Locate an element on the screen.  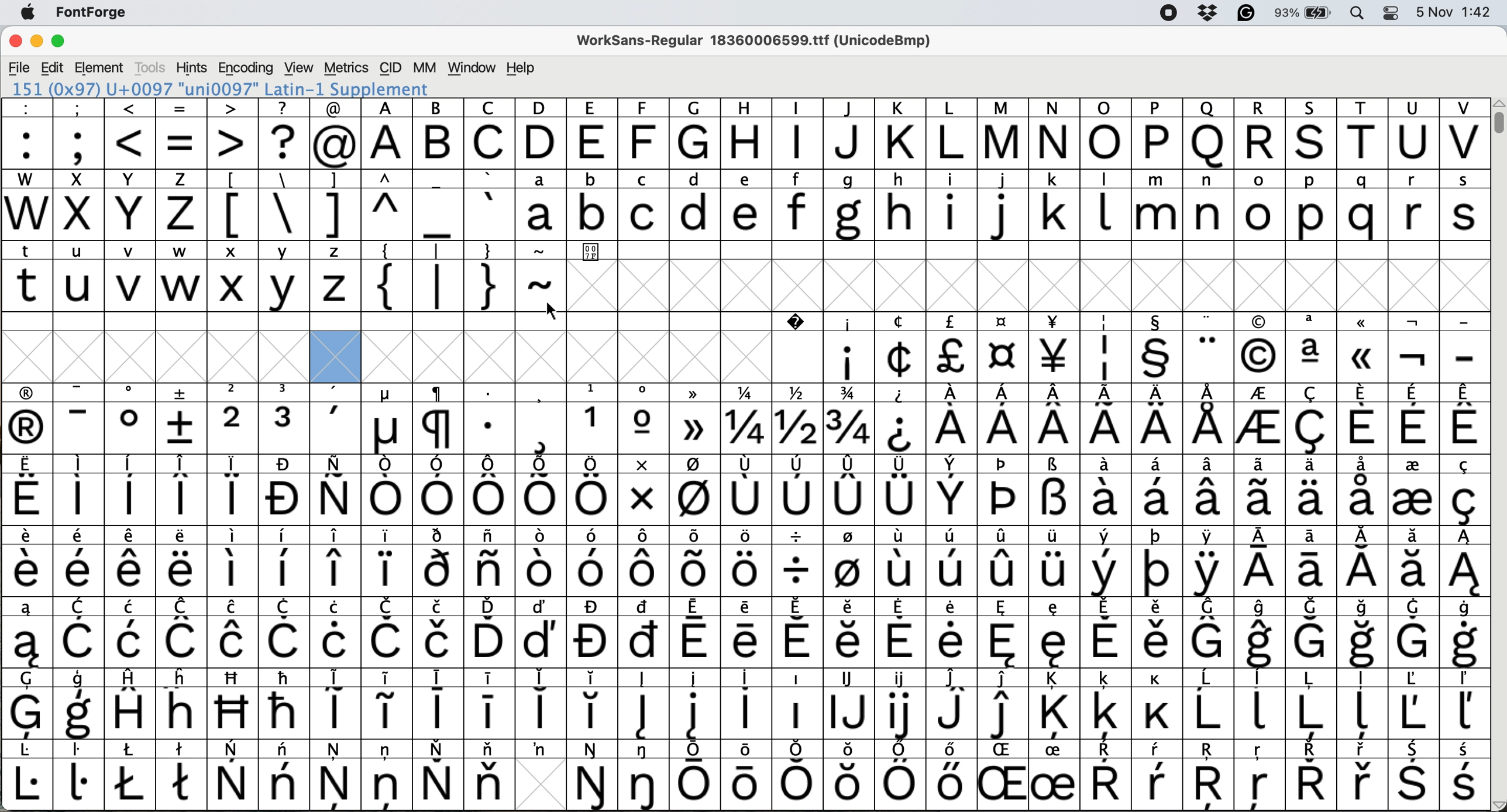
symbol is located at coordinates (1211, 490).